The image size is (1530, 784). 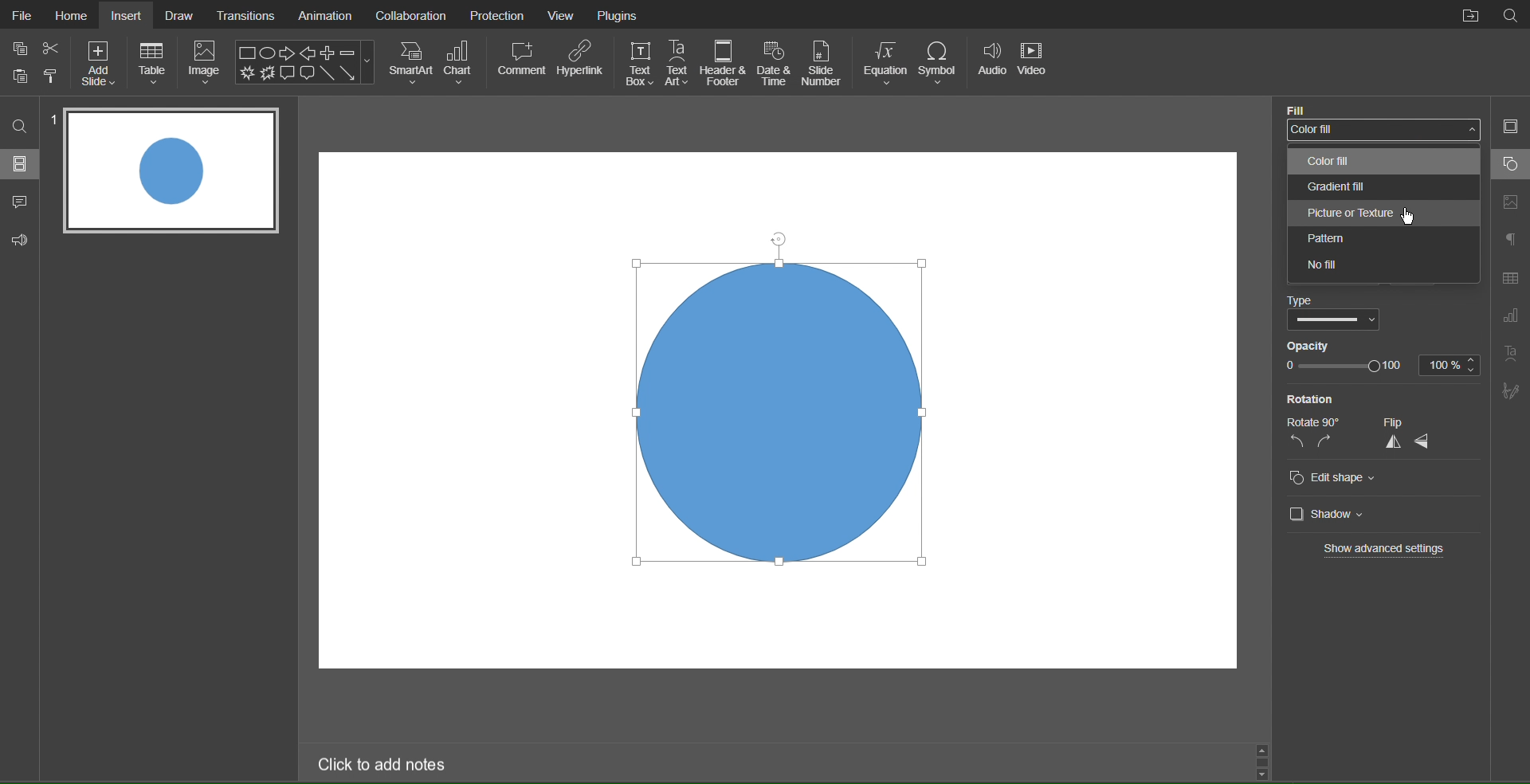 What do you see at coordinates (774, 62) in the screenshot?
I see `Date and Time` at bounding box center [774, 62].